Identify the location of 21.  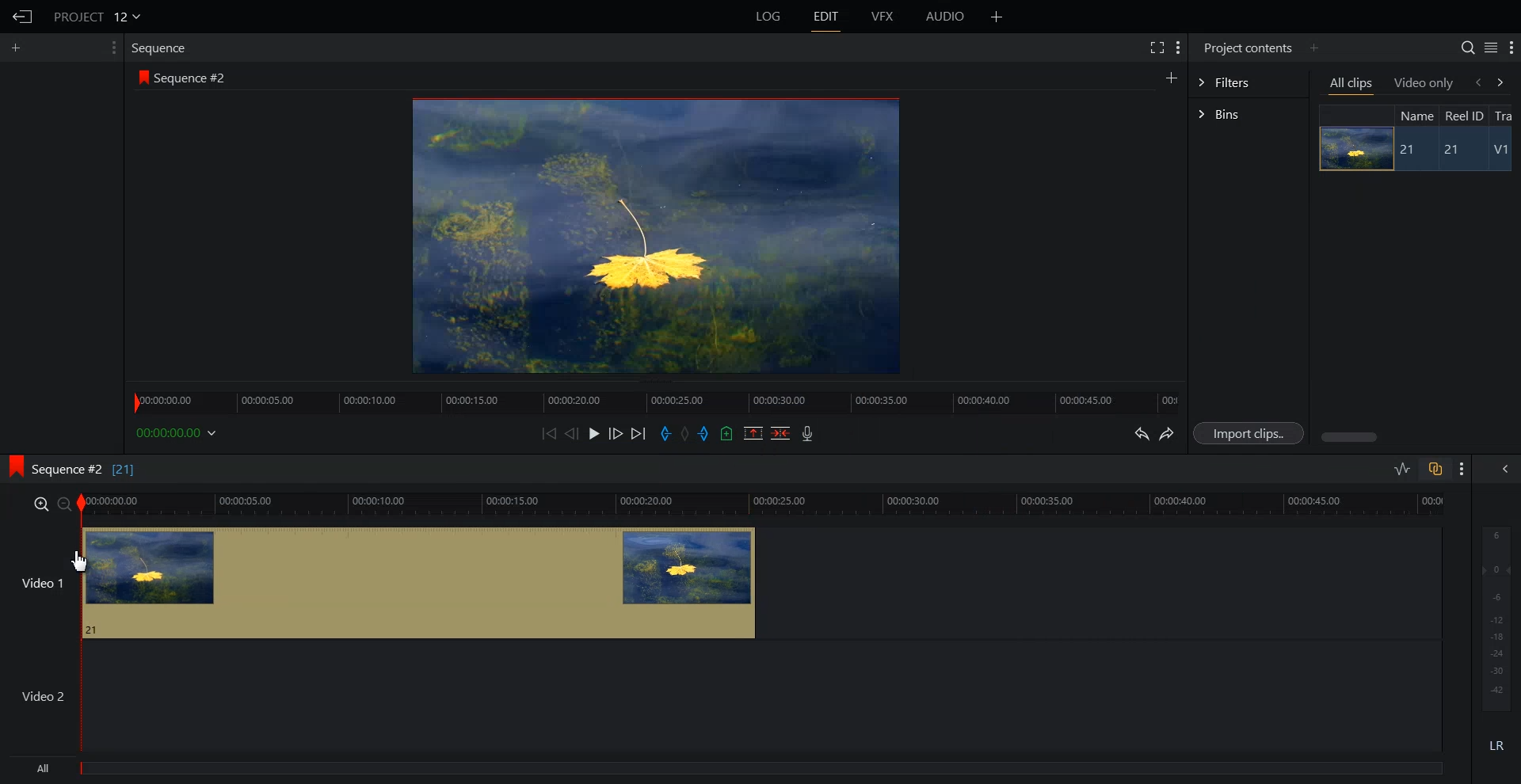
(1409, 150).